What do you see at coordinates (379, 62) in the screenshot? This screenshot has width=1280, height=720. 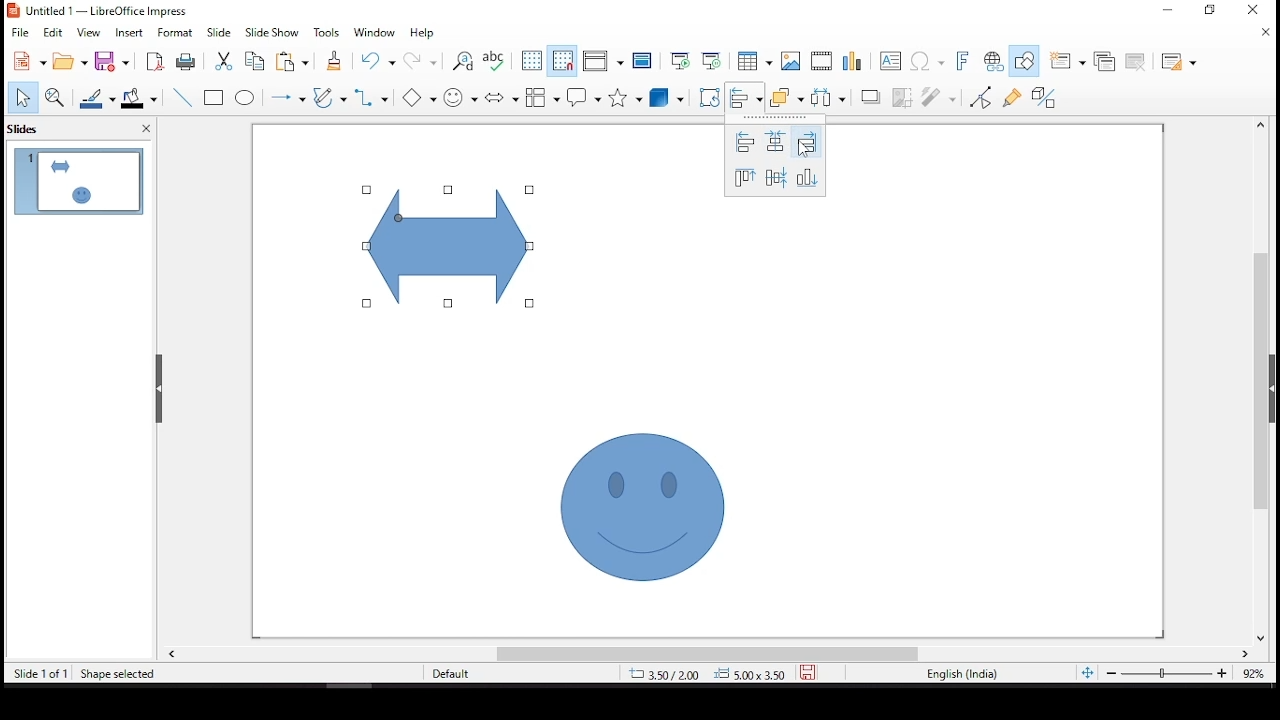 I see `undo` at bounding box center [379, 62].